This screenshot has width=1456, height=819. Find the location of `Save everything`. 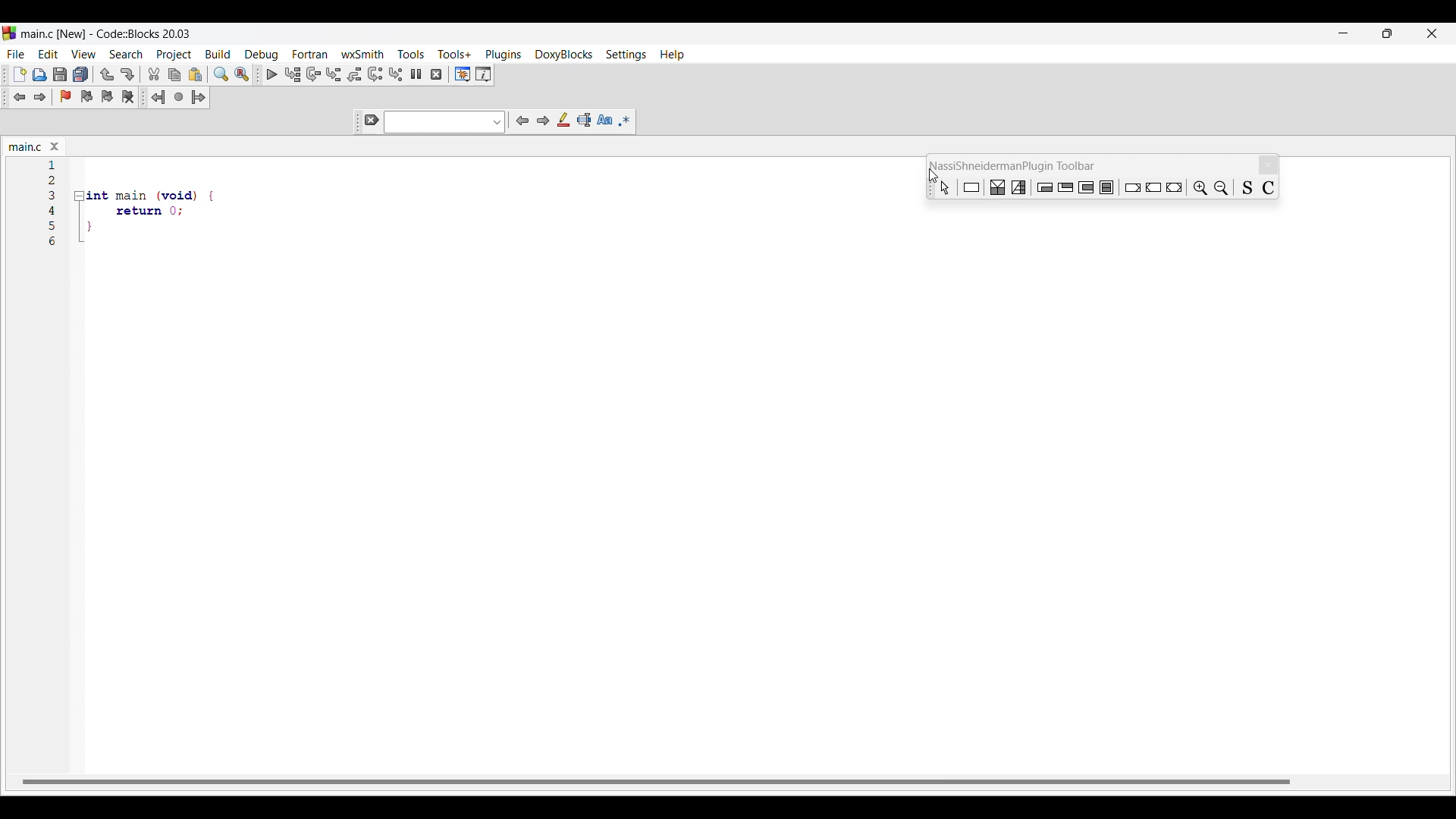

Save everything is located at coordinates (81, 74).